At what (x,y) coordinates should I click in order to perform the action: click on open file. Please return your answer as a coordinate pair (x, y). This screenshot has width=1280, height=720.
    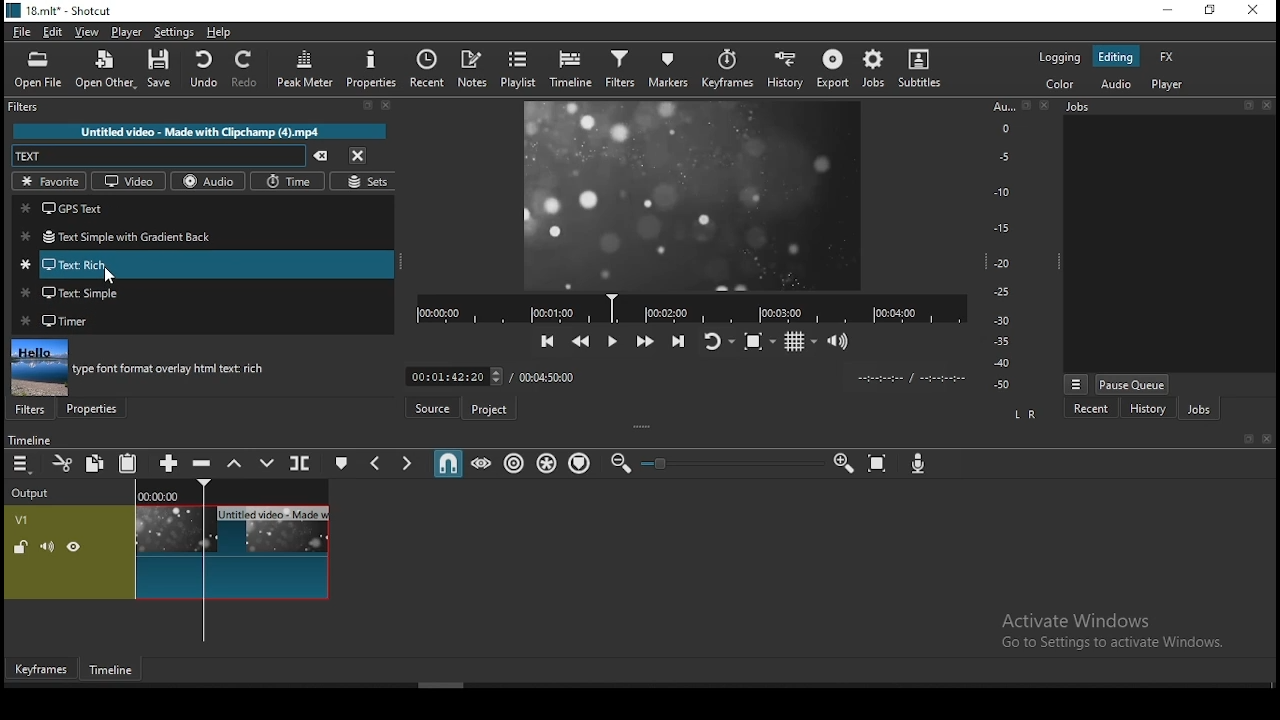
    Looking at the image, I should click on (38, 71).